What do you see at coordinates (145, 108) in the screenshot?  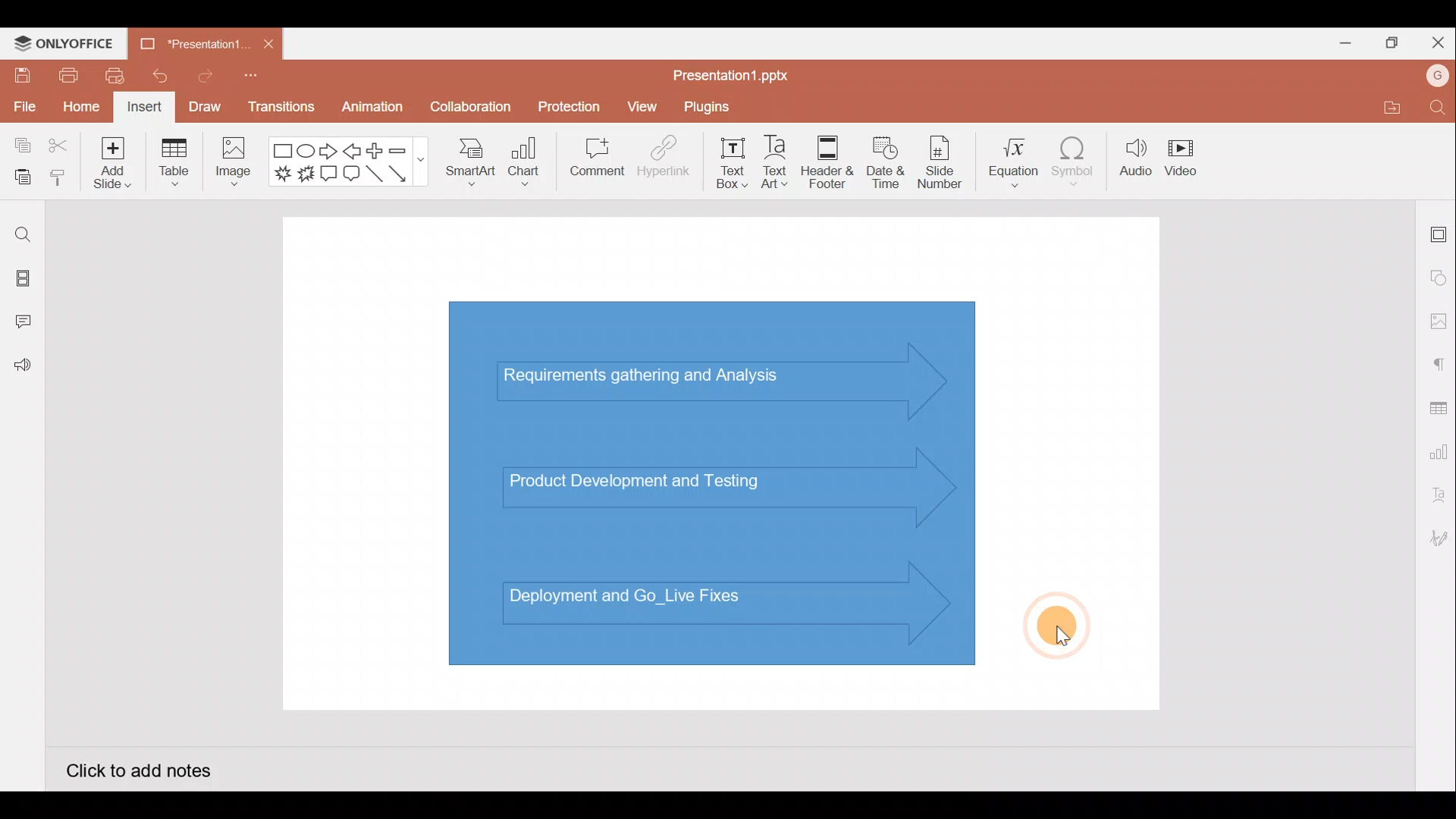 I see `Insert` at bounding box center [145, 108].